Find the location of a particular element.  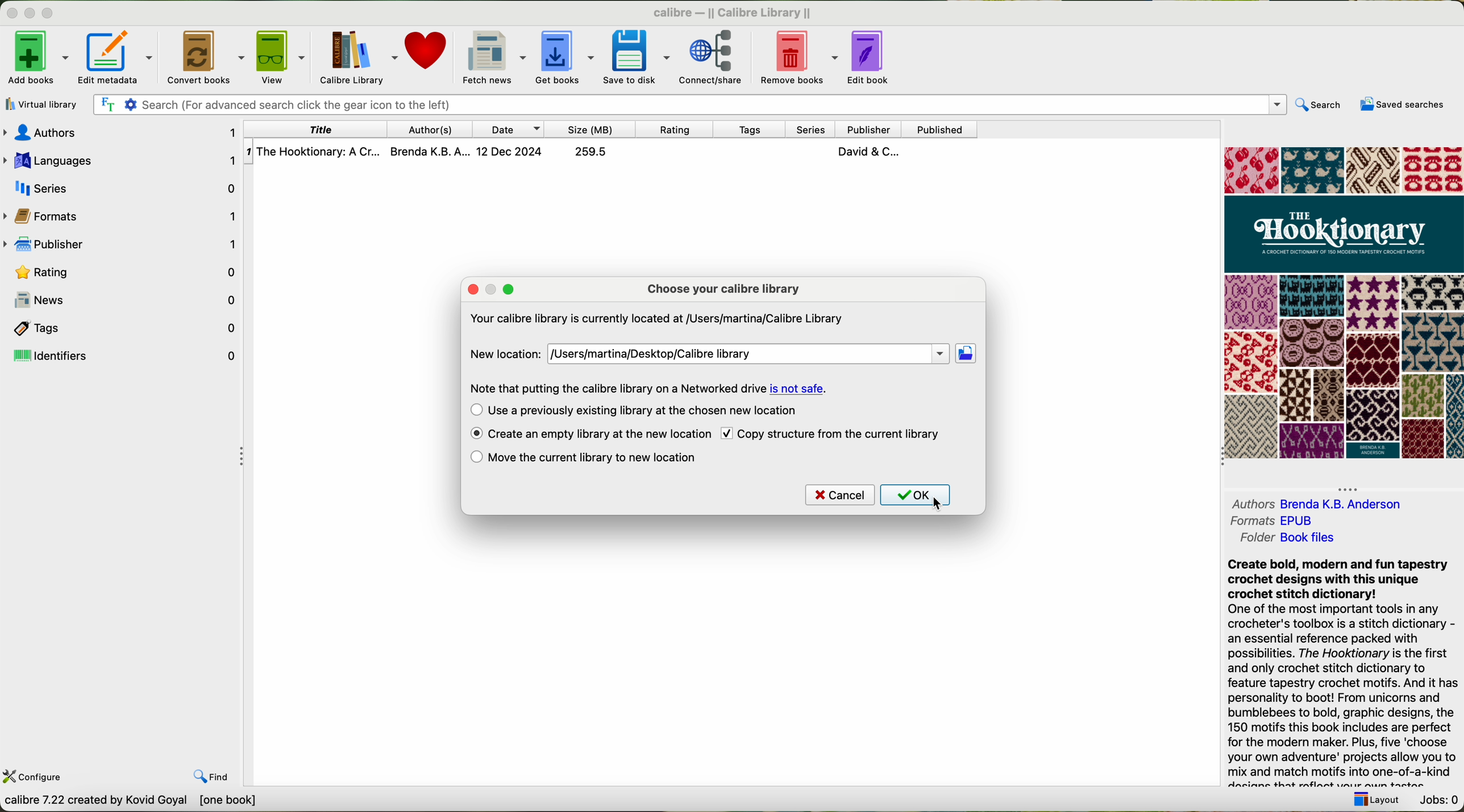

Your calibre library is currently located at /Users/martina/Calibre Library is located at coordinates (663, 321).